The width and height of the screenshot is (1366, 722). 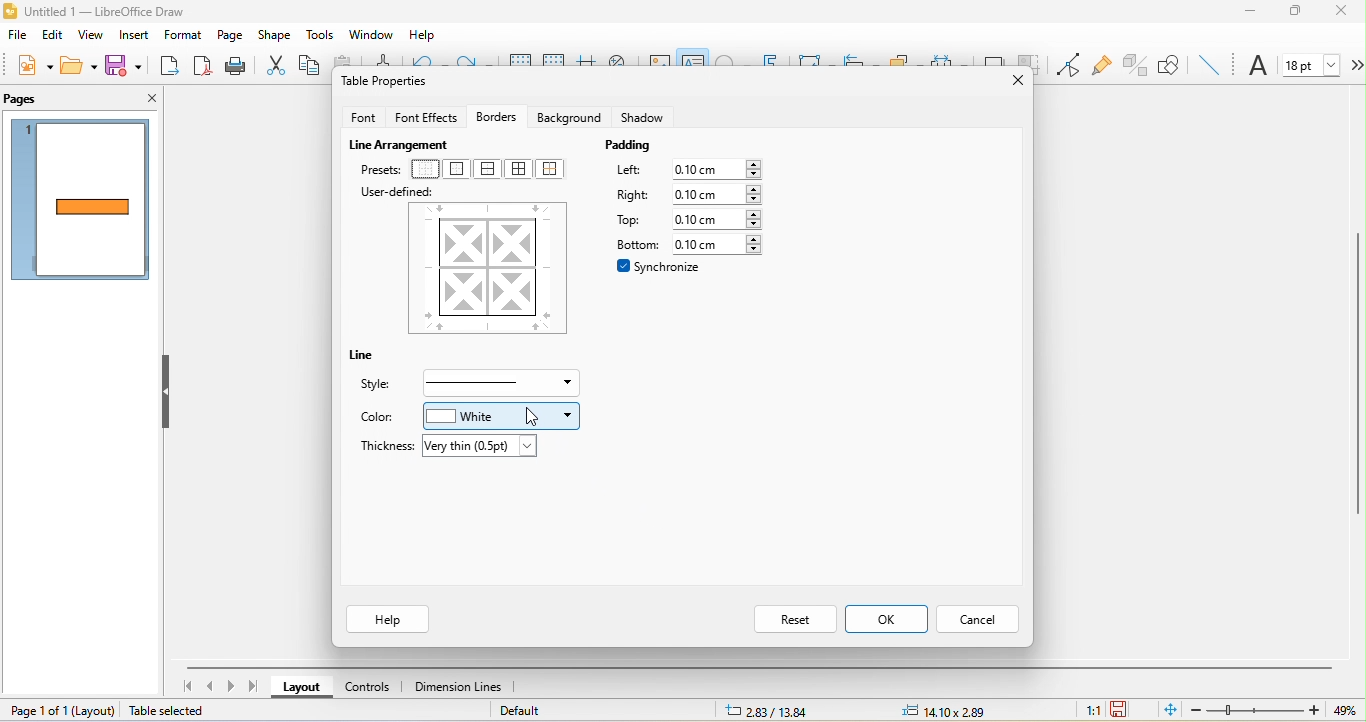 I want to click on layout, so click(x=94, y=710).